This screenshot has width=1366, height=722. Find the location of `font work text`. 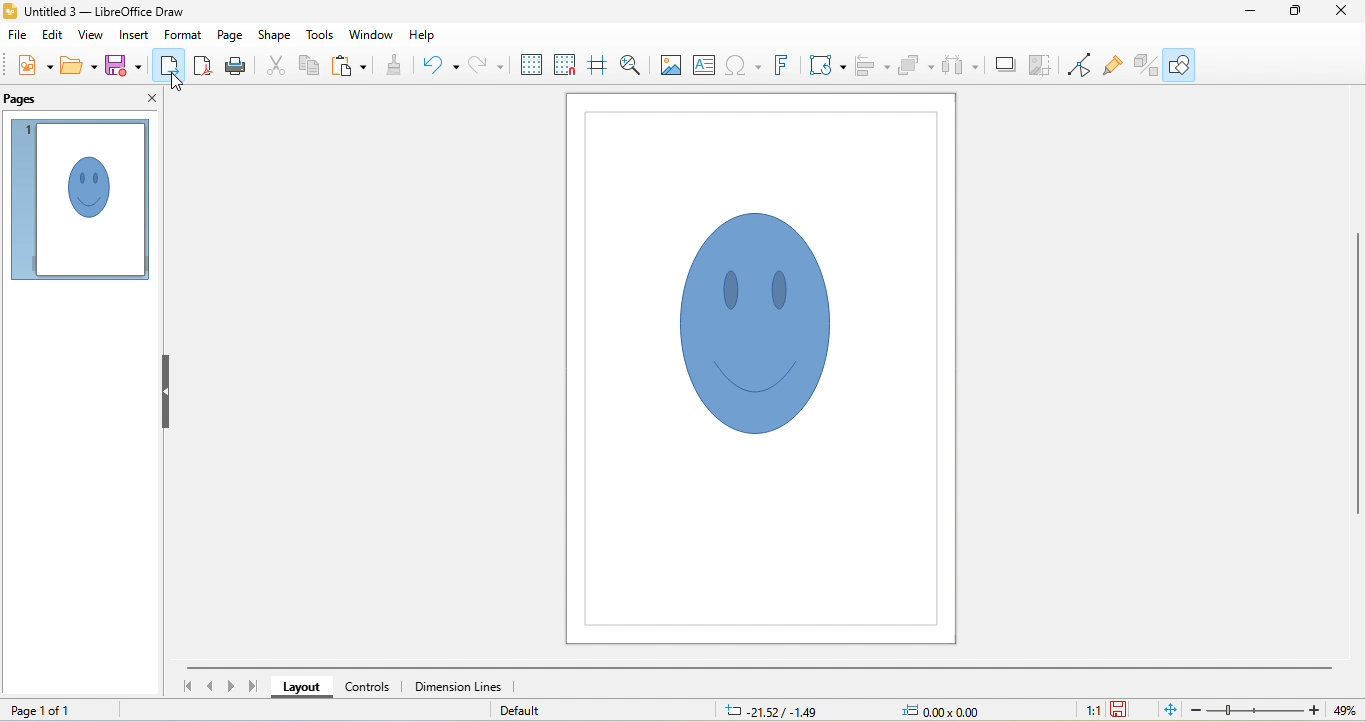

font work text is located at coordinates (781, 67).